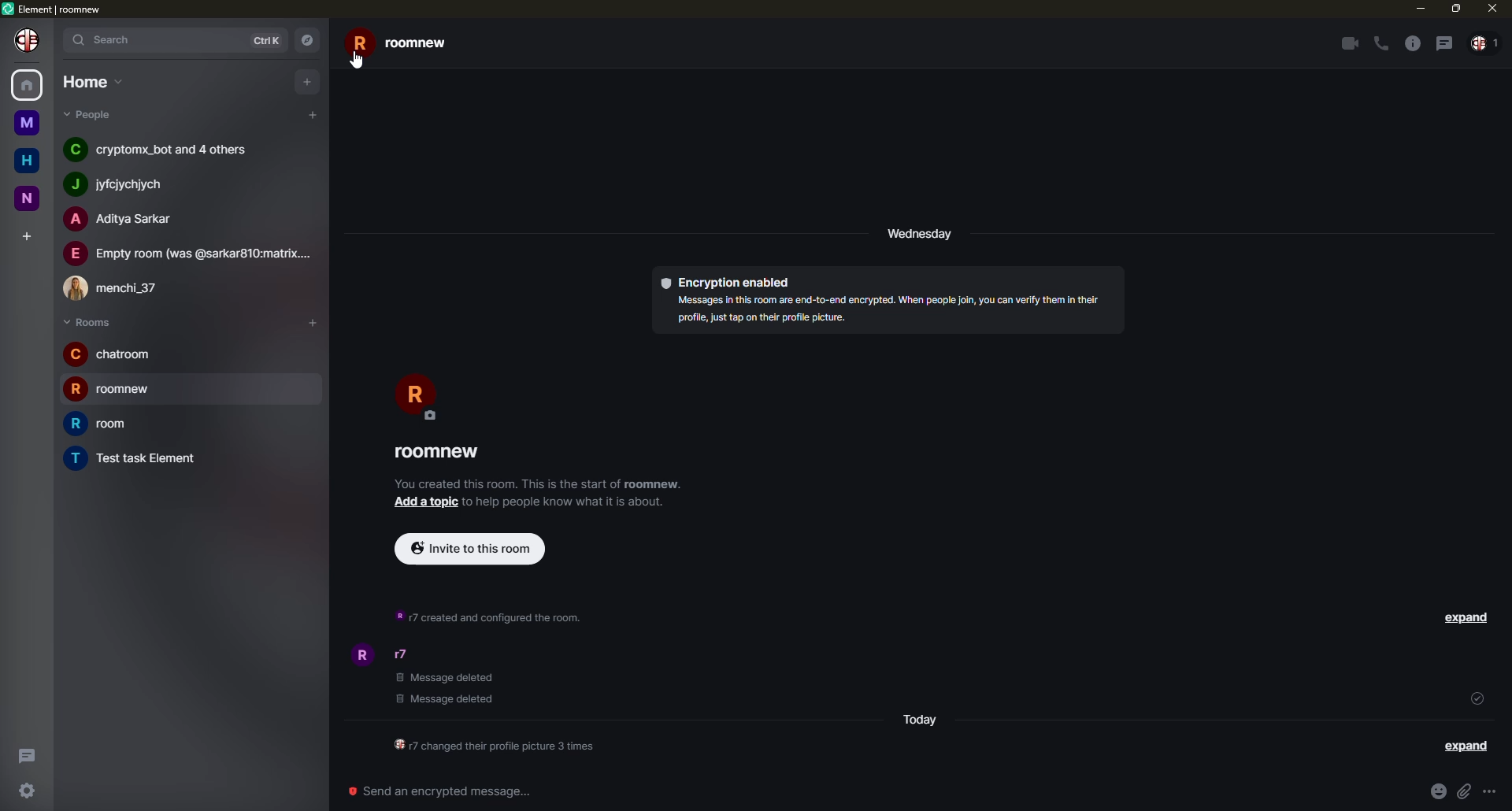 Image resolution: width=1512 pixels, height=811 pixels. What do you see at coordinates (922, 234) in the screenshot?
I see `day` at bounding box center [922, 234].